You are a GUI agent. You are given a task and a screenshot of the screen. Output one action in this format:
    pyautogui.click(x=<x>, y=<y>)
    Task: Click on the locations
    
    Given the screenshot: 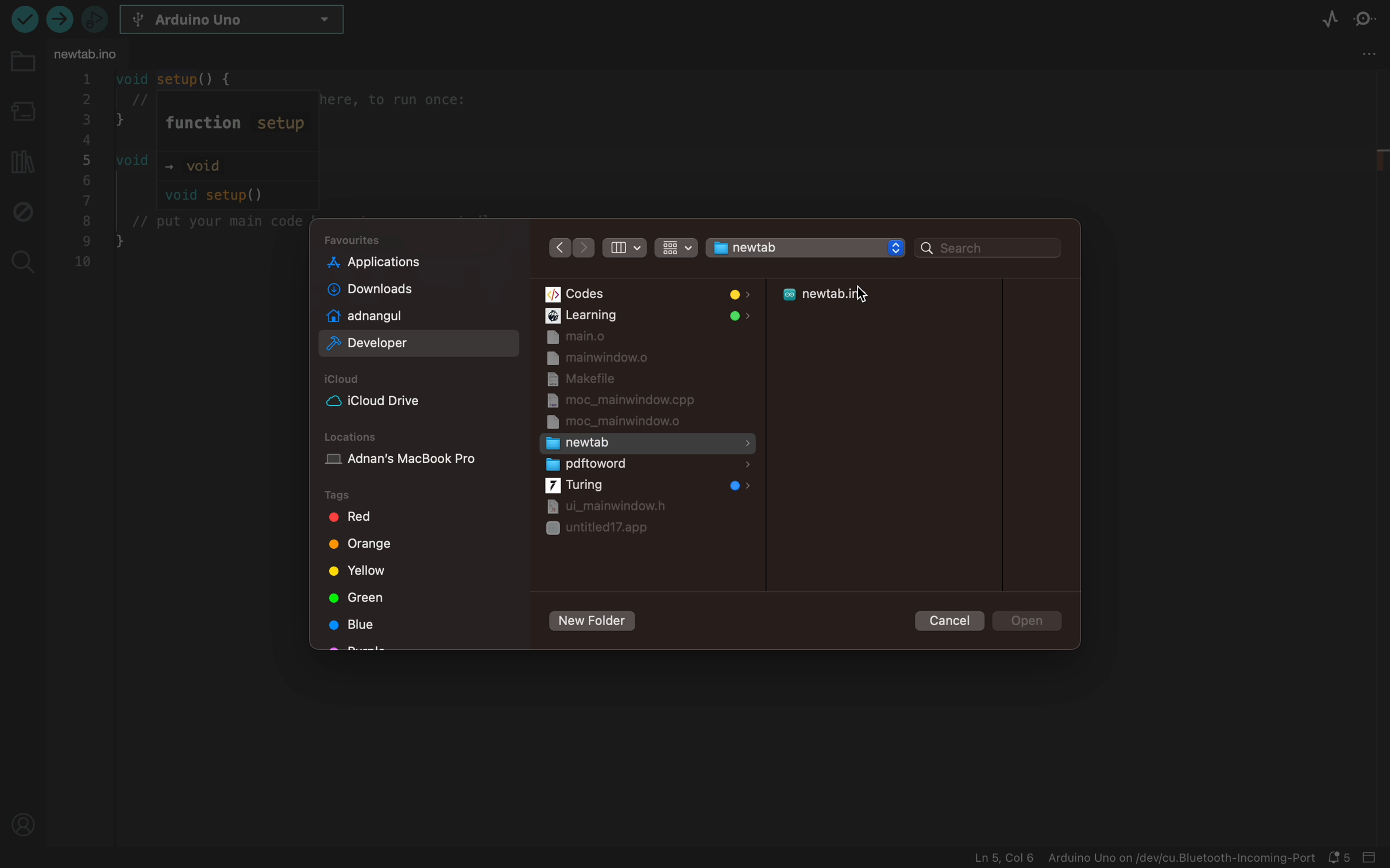 What is the action you would take?
    pyautogui.click(x=354, y=437)
    